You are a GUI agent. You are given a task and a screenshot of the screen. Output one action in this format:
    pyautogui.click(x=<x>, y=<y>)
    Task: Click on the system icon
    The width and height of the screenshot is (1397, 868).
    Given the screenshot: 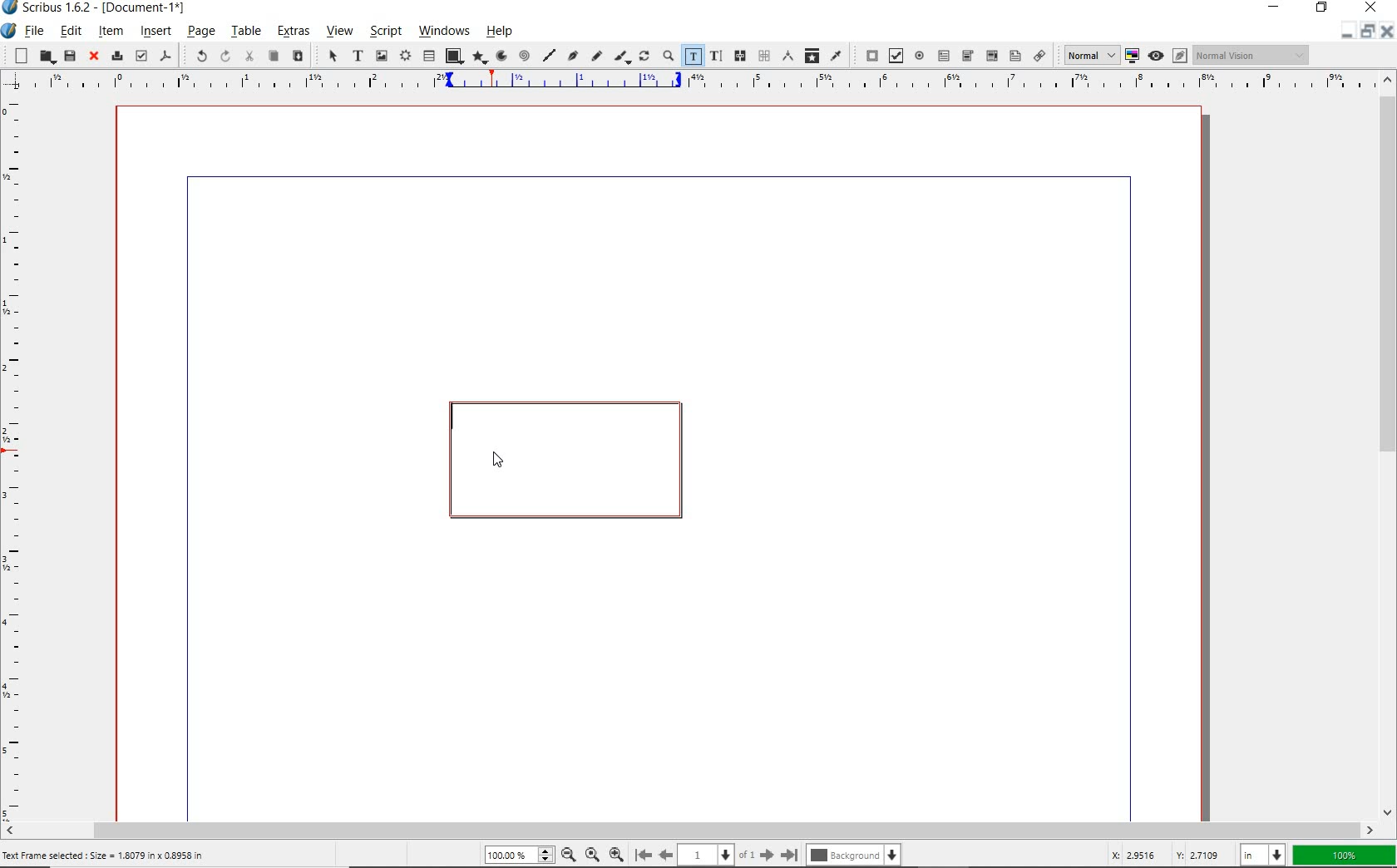 What is the action you would take?
    pyautogui.click(x=7, y=31)
    